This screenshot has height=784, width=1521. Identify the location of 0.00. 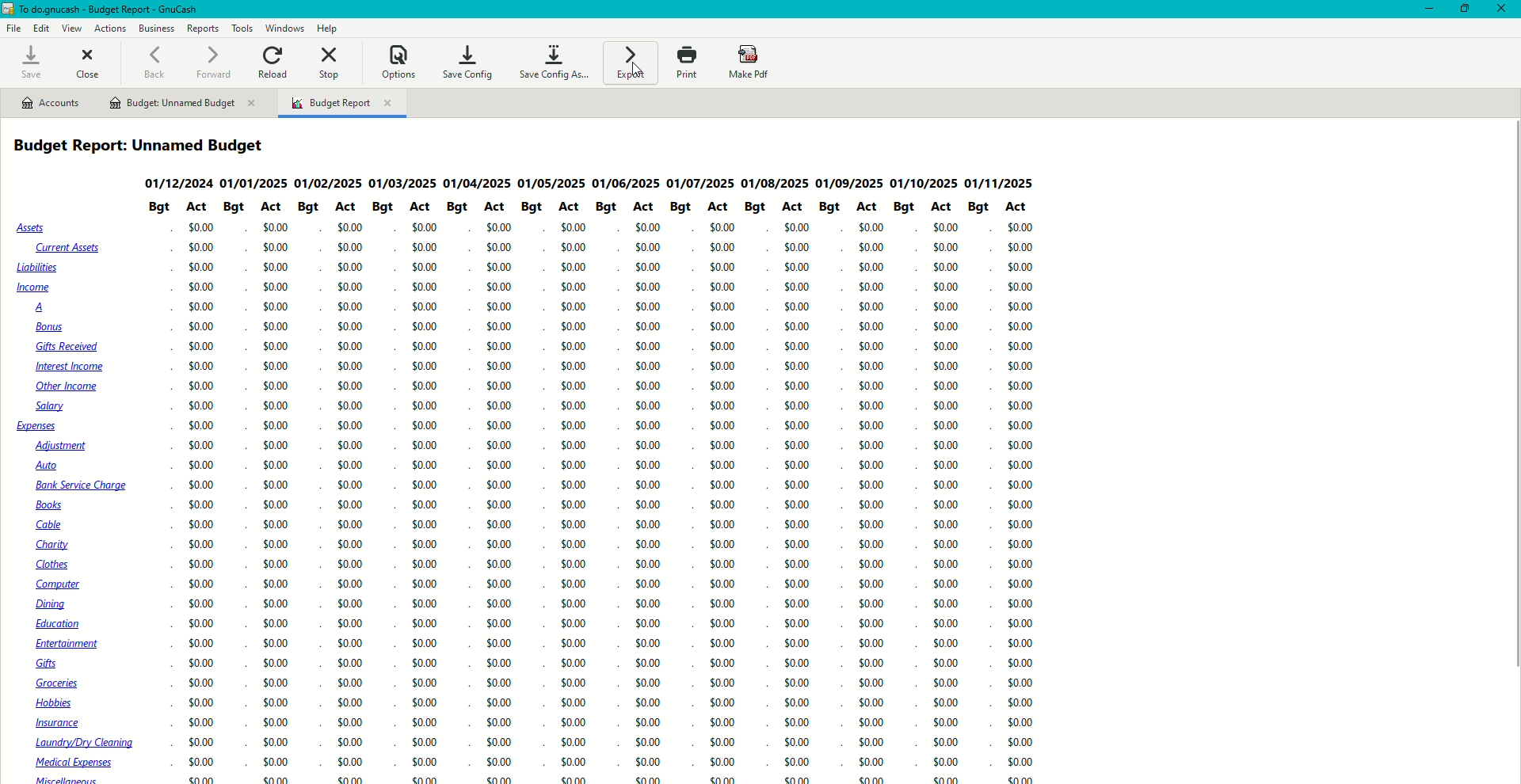
(201, 466).